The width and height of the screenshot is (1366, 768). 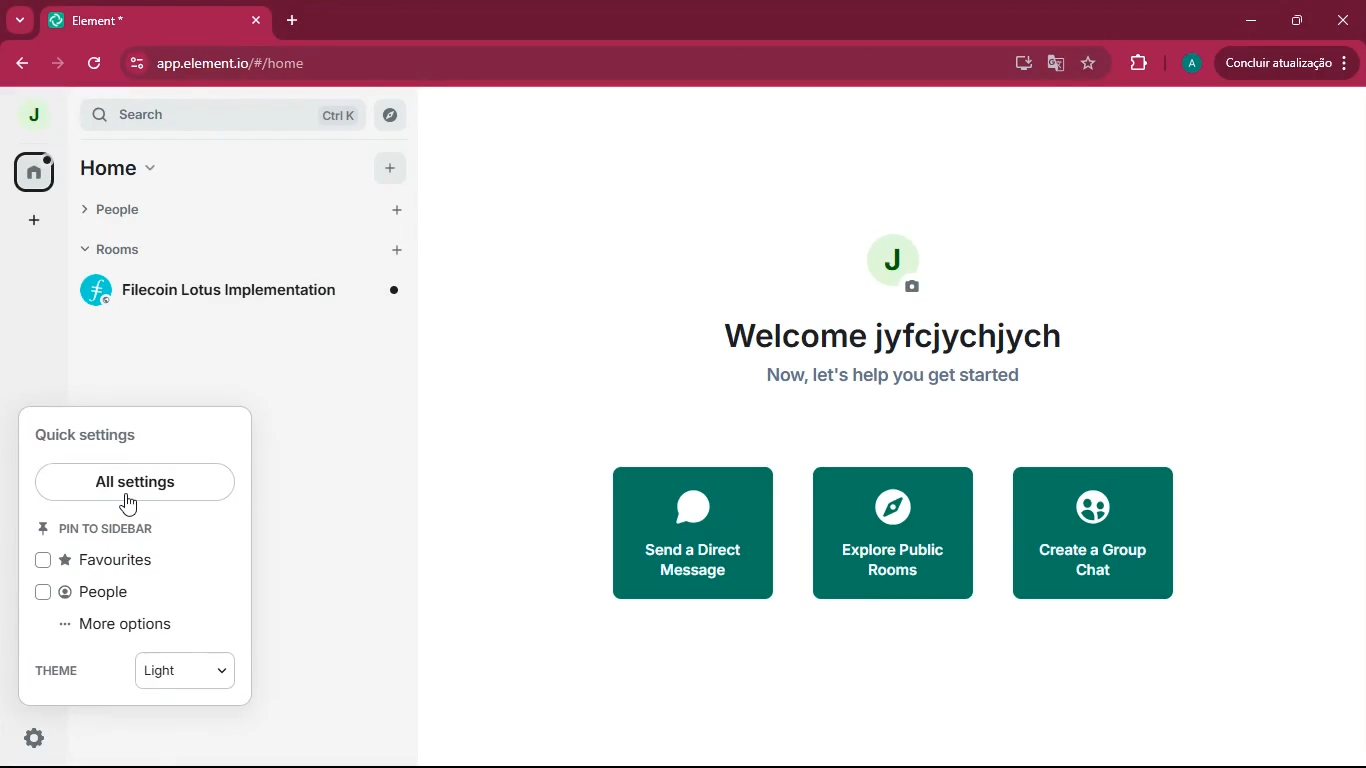 What do you see at coordinates (35, 115) in the screenshot?
I see `profile` at bounding box center [35, 115].